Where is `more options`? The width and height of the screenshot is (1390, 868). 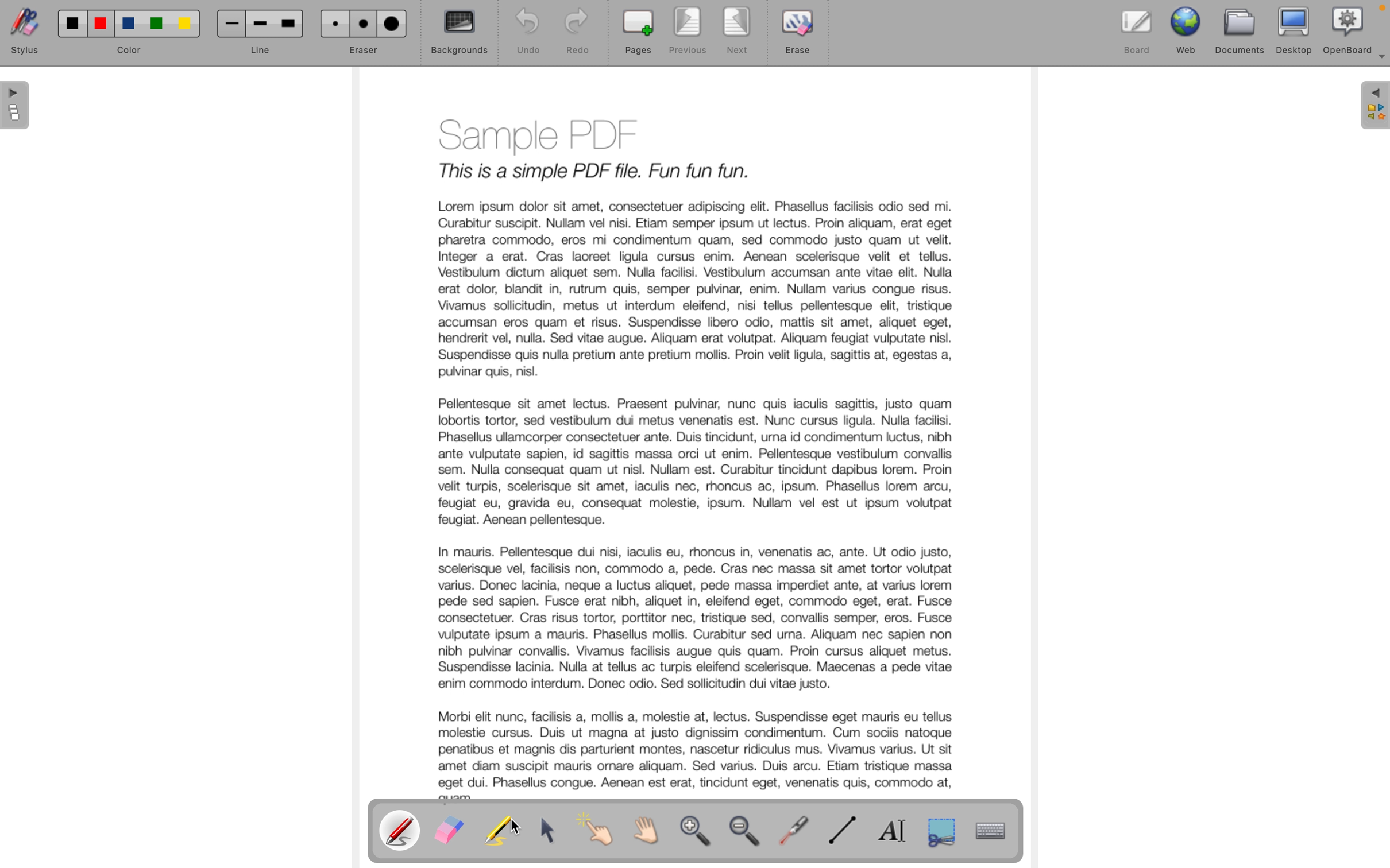
more options is located at coordinates (1379, 61).